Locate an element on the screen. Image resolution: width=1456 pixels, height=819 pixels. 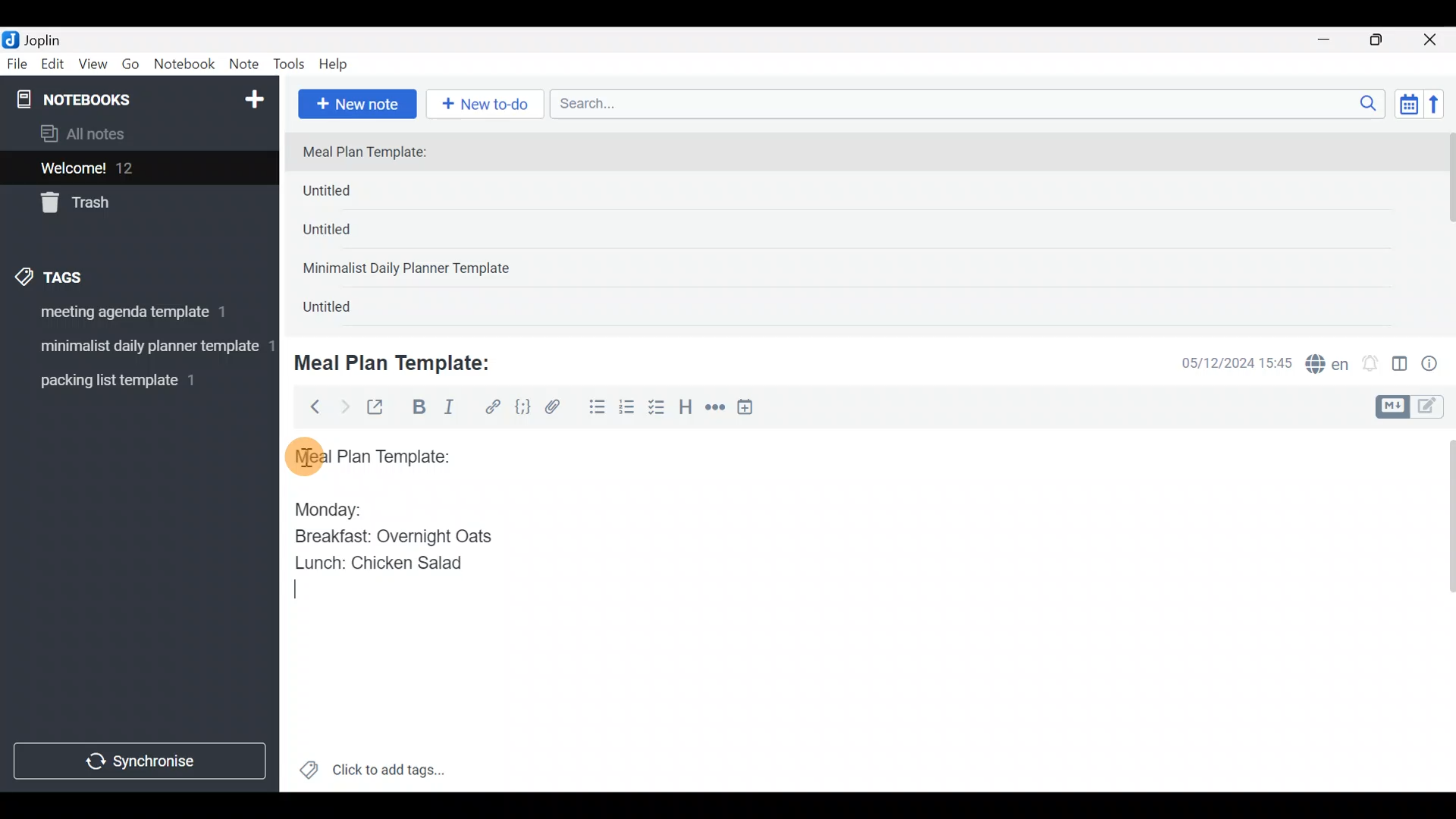
Minimalist Daily Planner Template is located at coordinates (411, 270).